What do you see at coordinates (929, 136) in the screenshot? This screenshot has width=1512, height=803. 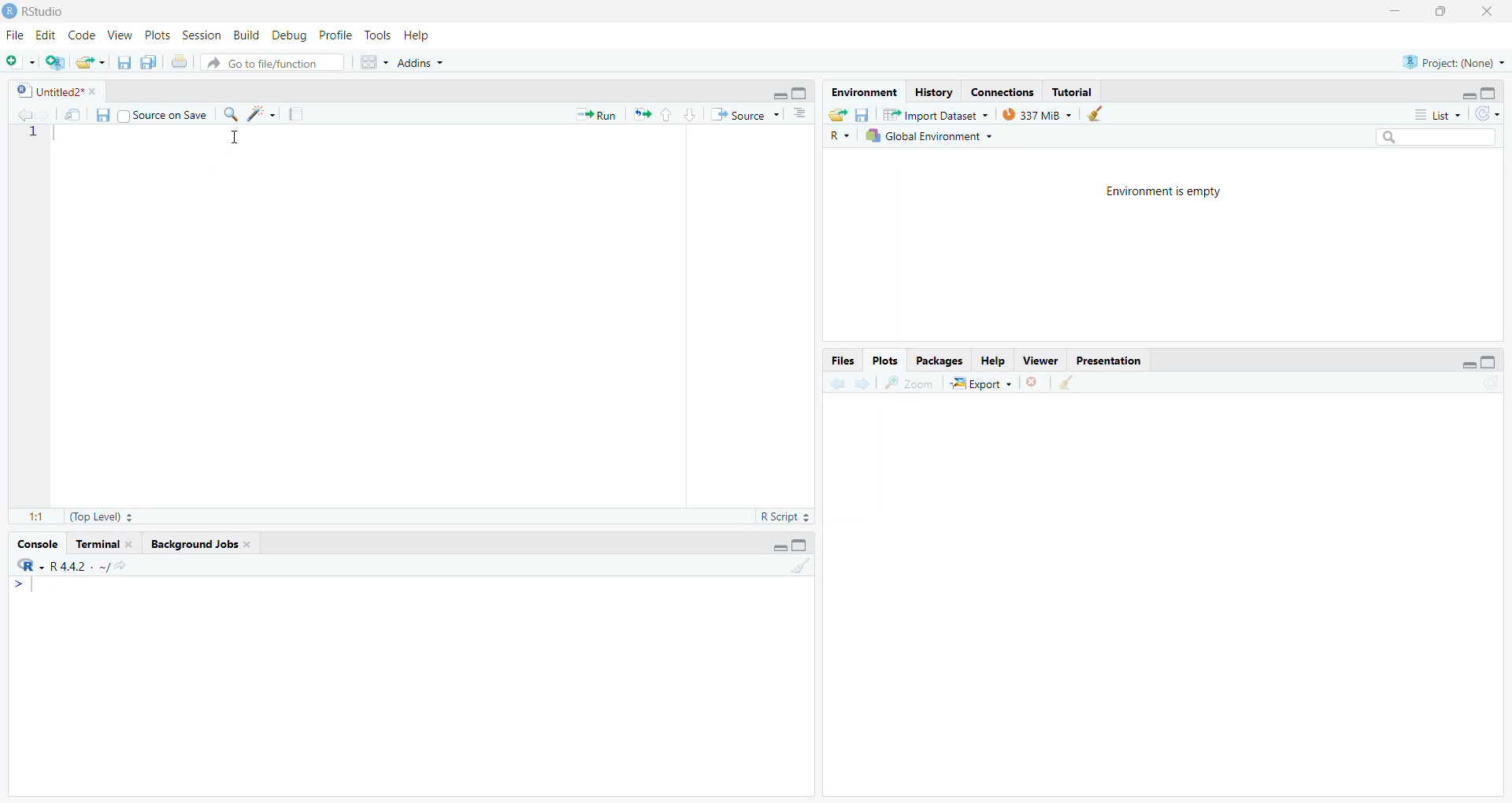 I see ` Global Environment ` at bounding box center [929, 136].